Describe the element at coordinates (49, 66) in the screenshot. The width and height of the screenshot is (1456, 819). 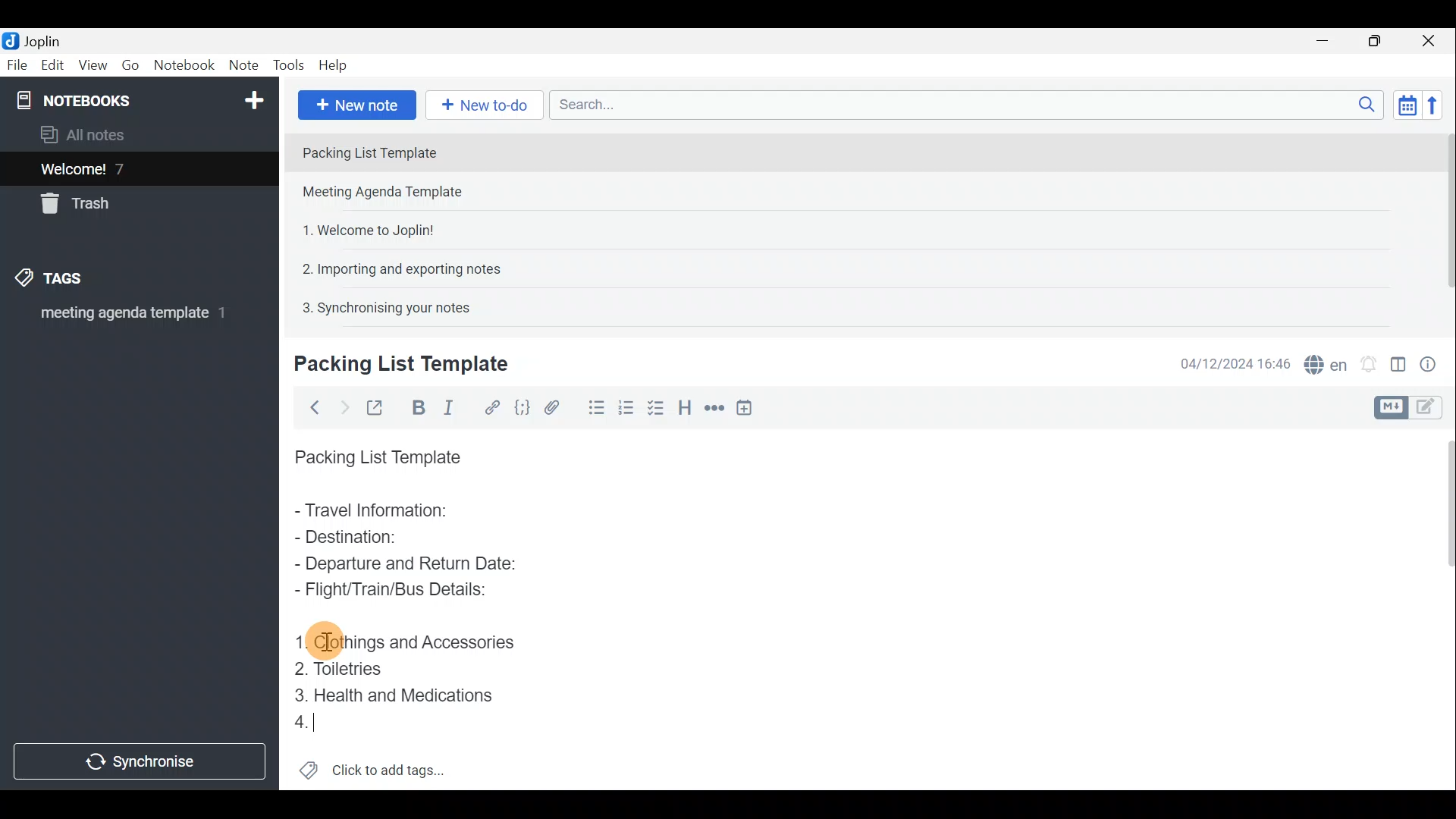
I see `Edit` at that location.